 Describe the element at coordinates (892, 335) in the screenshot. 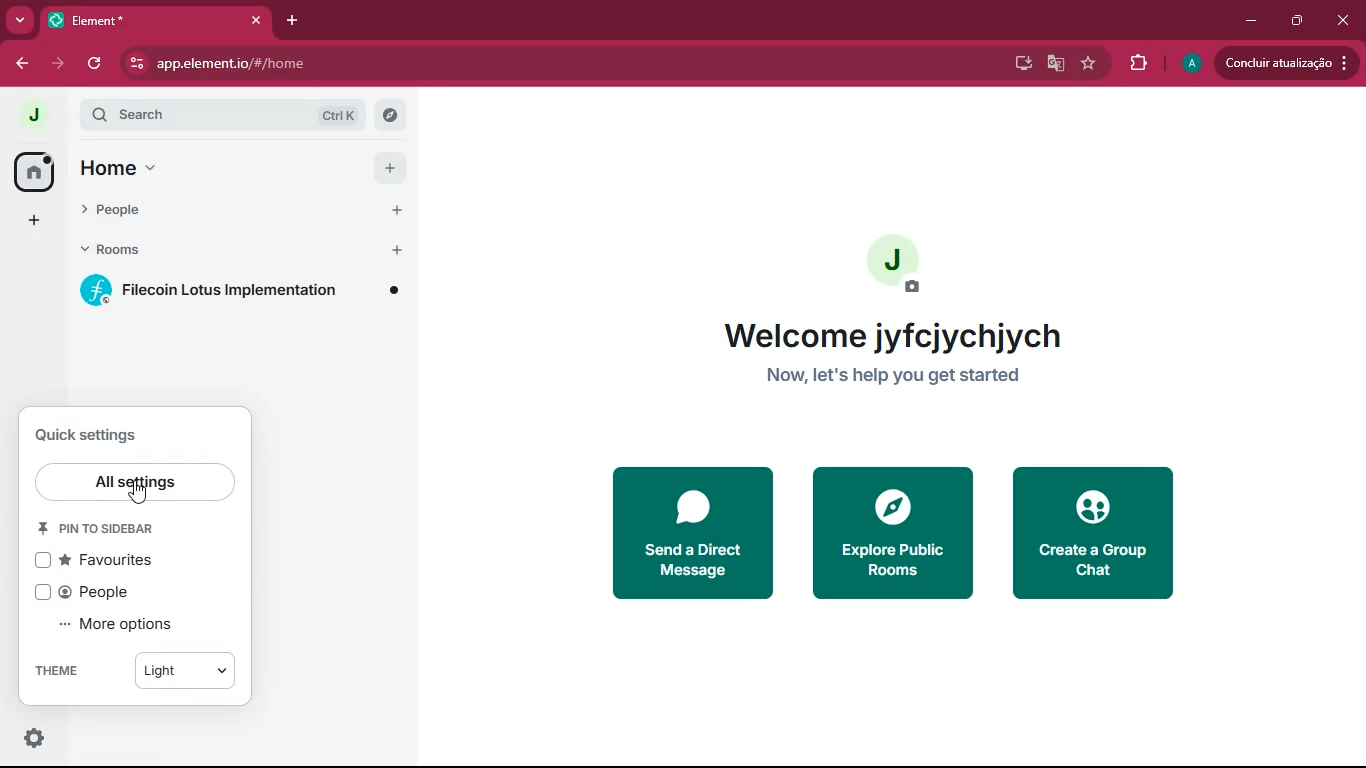

I see `welcome jyfcjychjych` at that location.